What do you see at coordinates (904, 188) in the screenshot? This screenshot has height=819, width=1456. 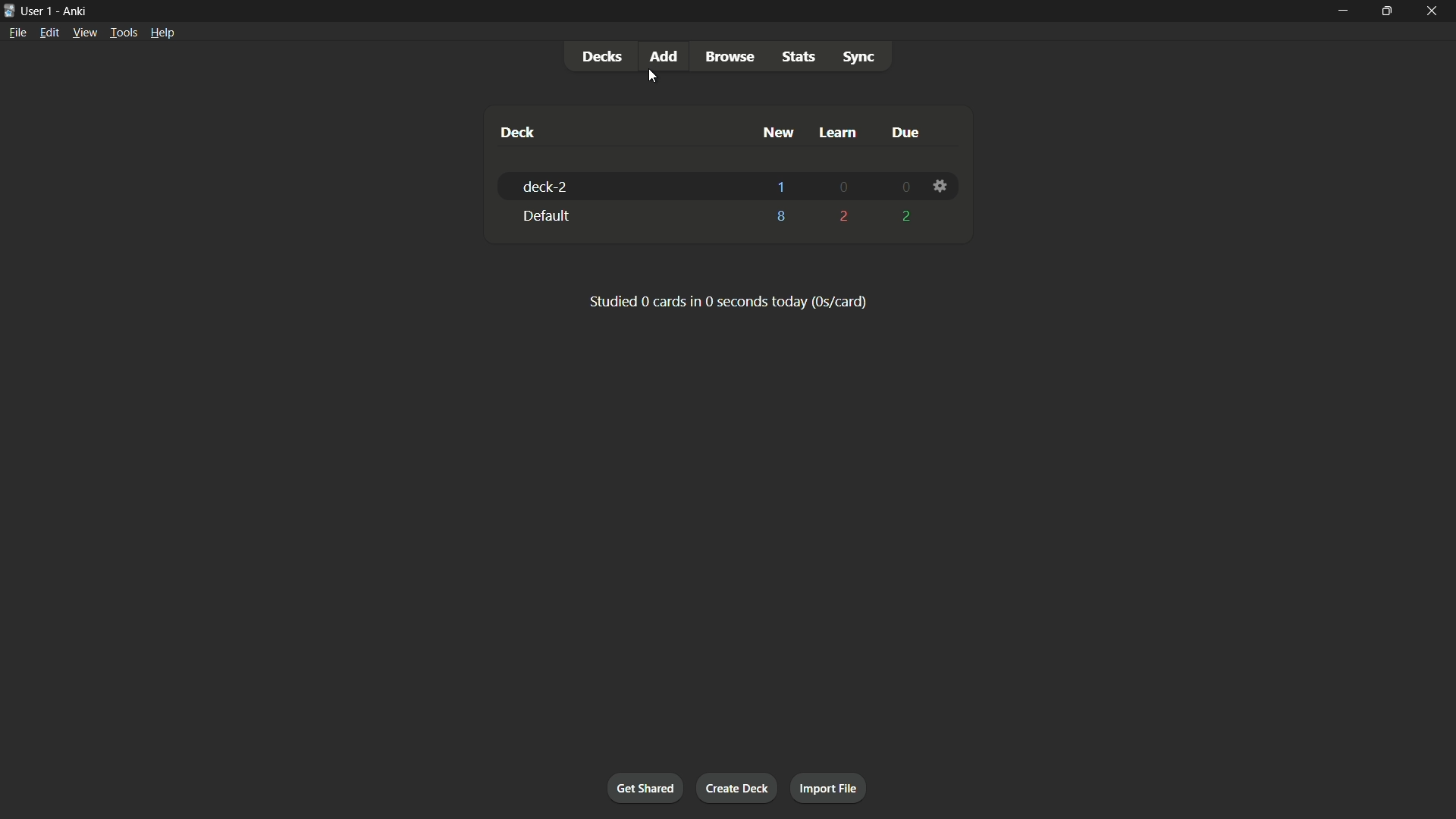 I see `0` at bounding box center [904, 188].